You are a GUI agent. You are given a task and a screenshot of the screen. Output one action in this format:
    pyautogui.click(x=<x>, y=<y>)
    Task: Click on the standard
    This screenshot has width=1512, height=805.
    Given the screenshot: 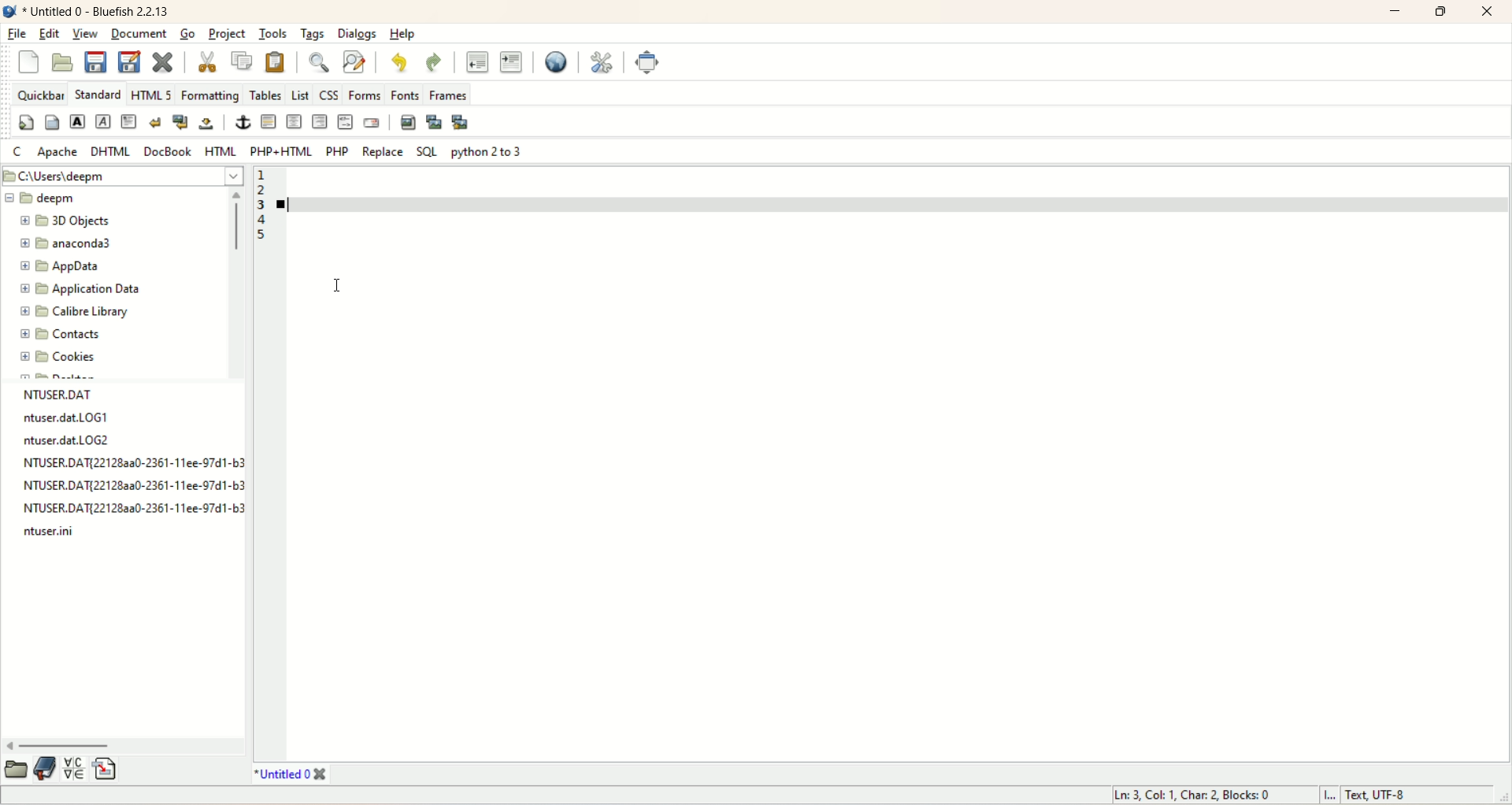 What is the action you would take?
    pyautogui.click(x=98, y=95)
    